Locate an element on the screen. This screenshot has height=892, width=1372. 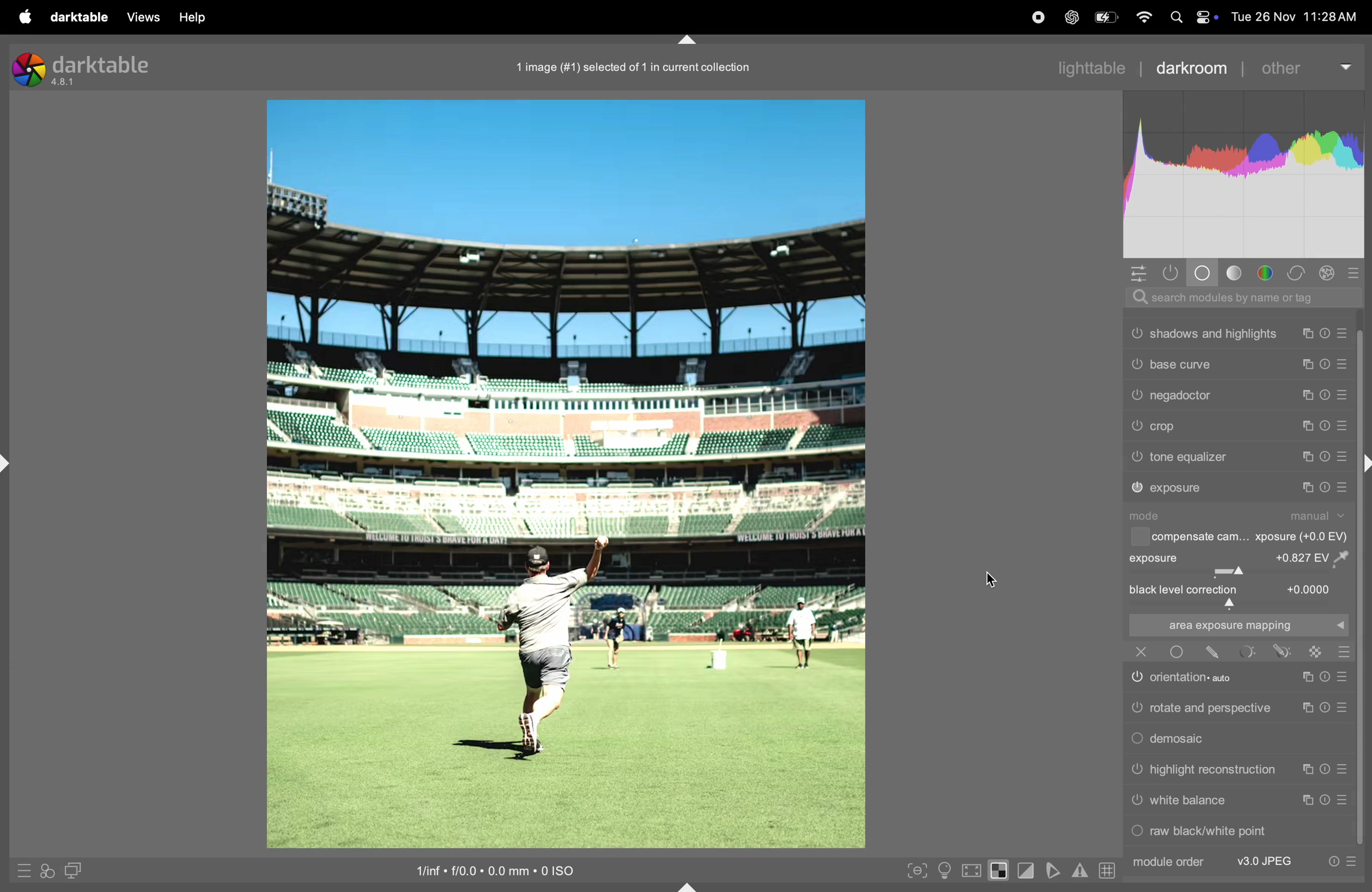
display second dark room is located at coordinates (78, 870).